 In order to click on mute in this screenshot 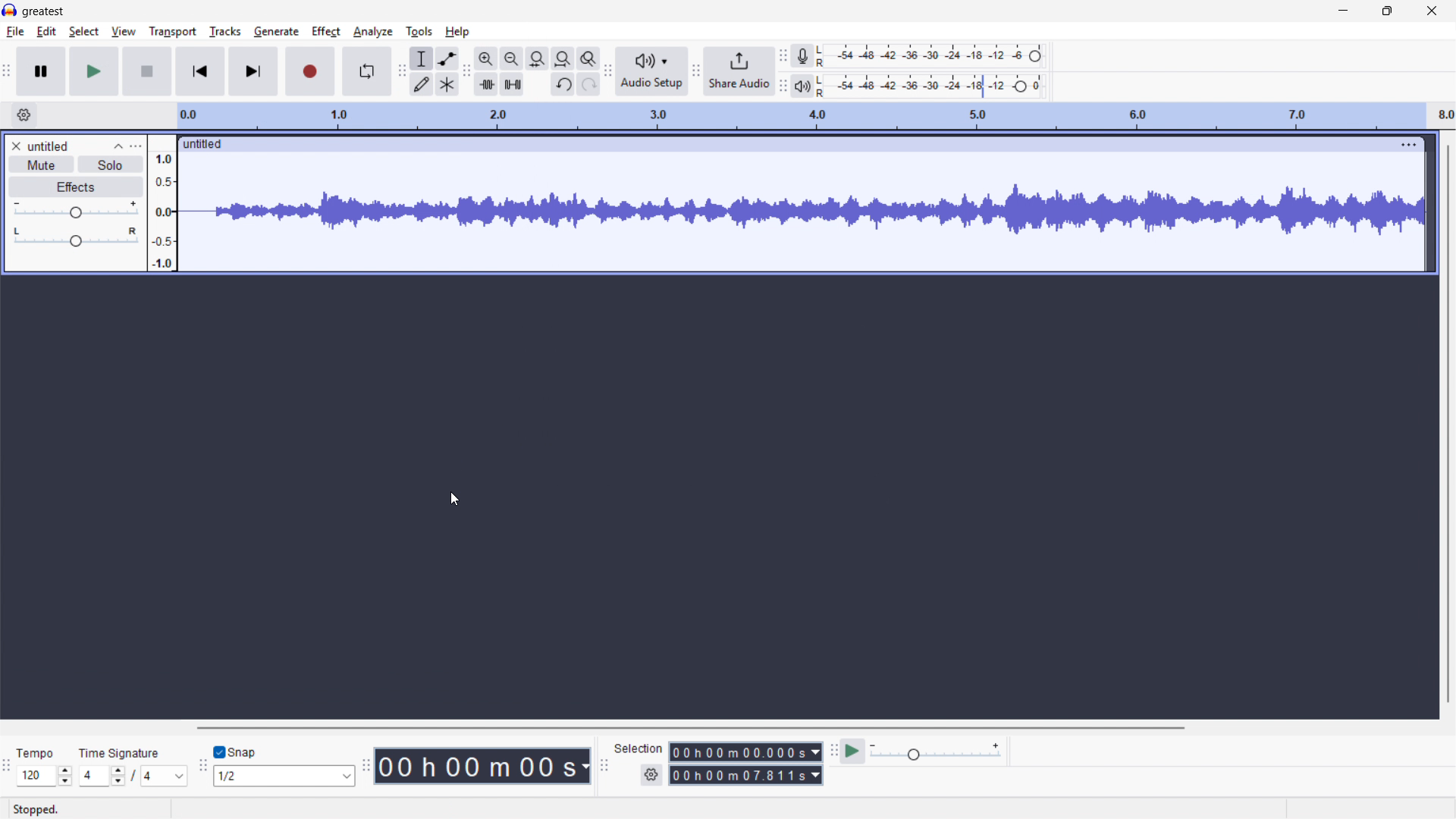, I will do `click(40, 165)`.